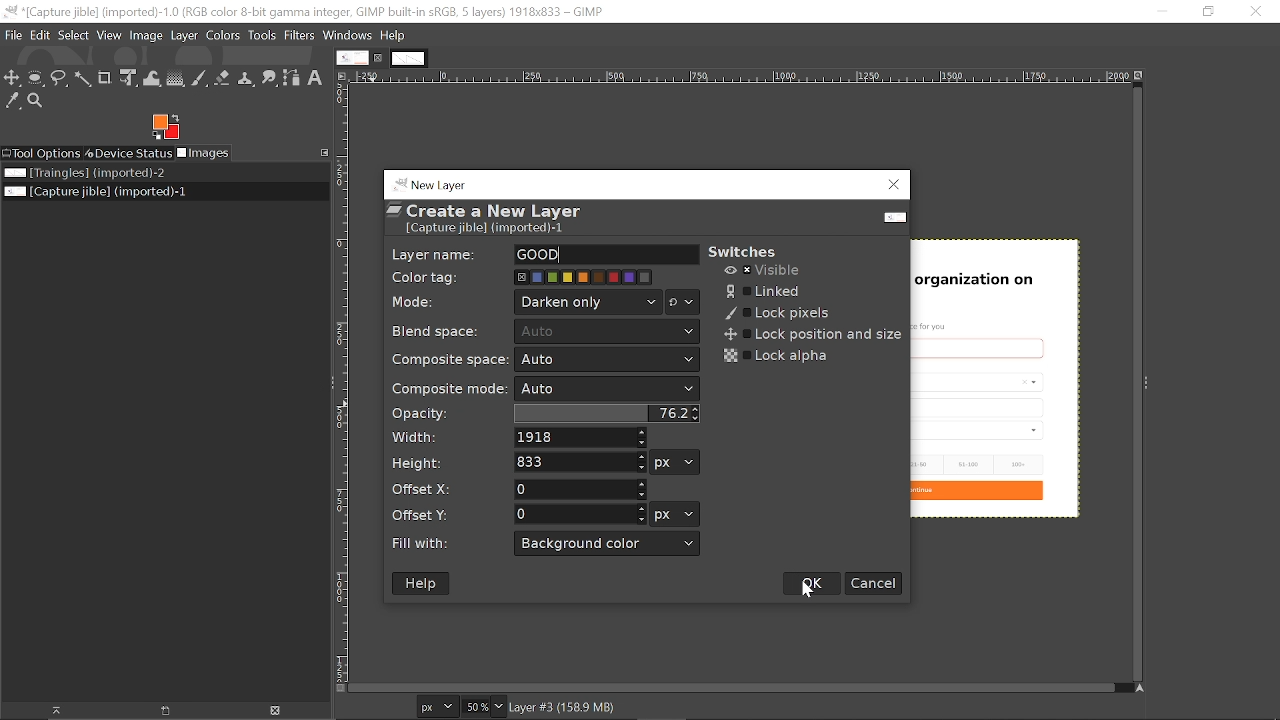 This screenshot has height=720, width=1280. Describe the element at coordinates (774, 312) in the screenshot. I see `Lock pixels` at that location.